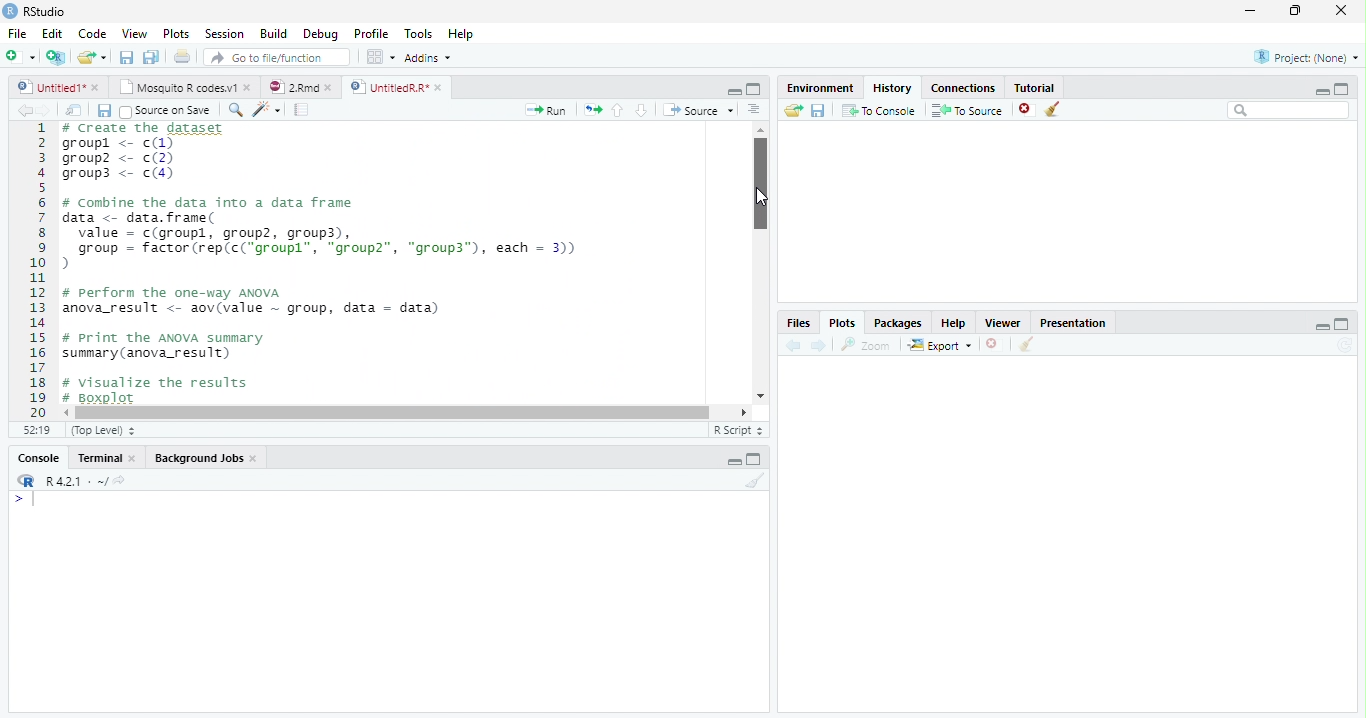  What do you see at coordinates (797, 323) in the screenshot?
I see `Files` at bounding box center [797, 323].